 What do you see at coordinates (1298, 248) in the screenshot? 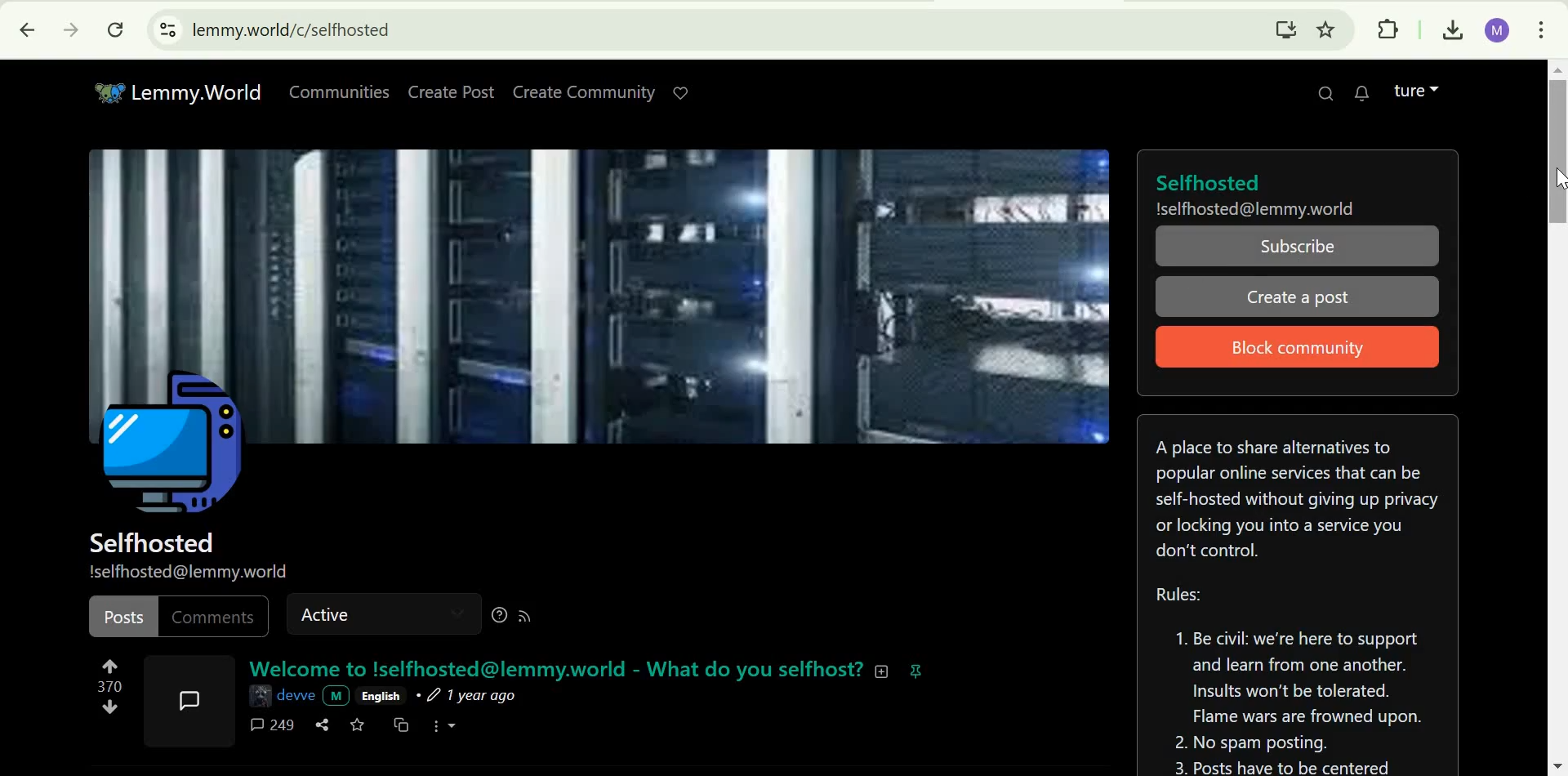
I see `Subscribe` at bounding box center [1298, 248].